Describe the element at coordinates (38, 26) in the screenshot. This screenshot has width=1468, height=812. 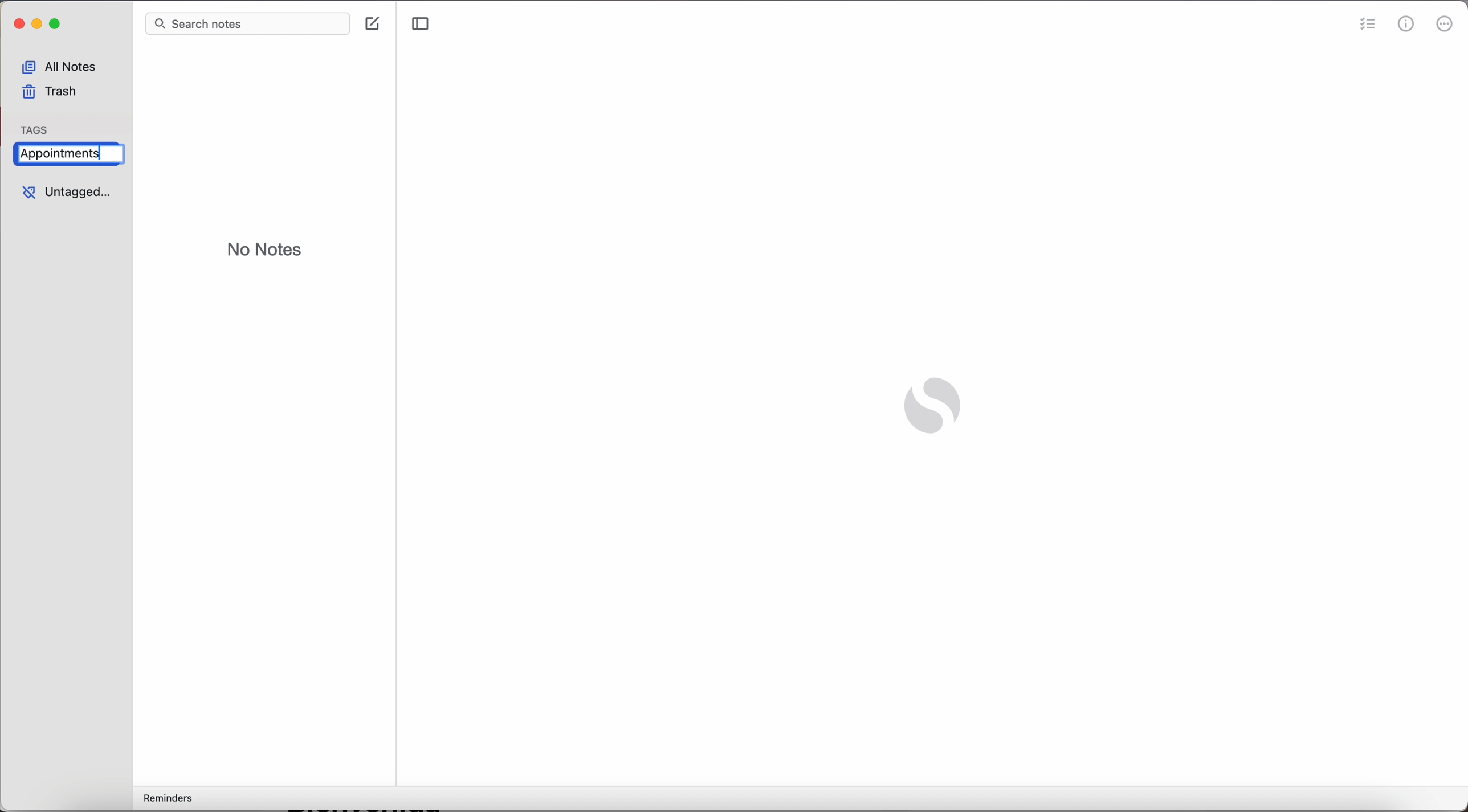
I see `minimize Simplenote` at that location.